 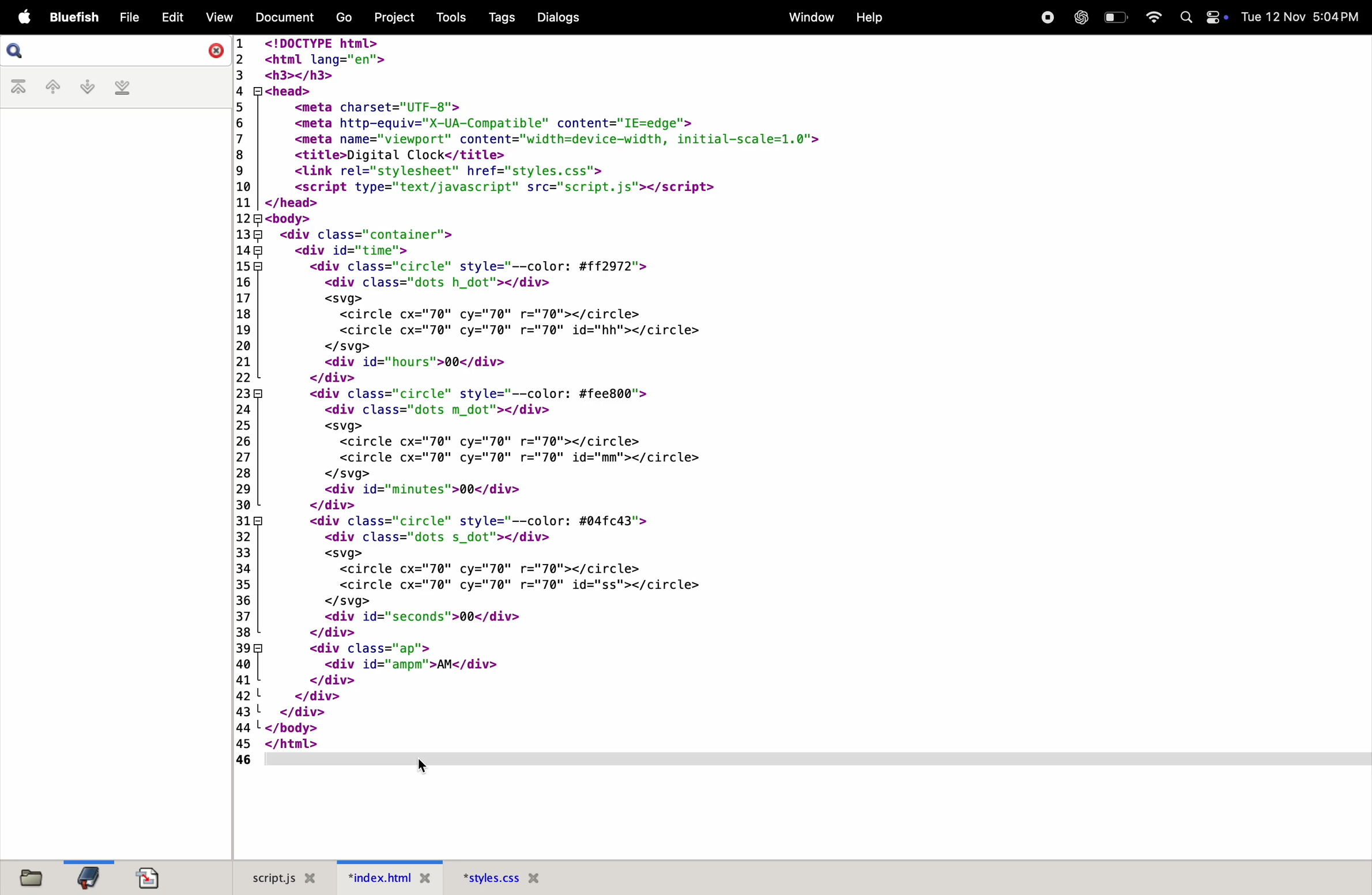 What do you see at coordinates (151, 876) in the screenshot?
I see `document` at bounding box center [151, 876].